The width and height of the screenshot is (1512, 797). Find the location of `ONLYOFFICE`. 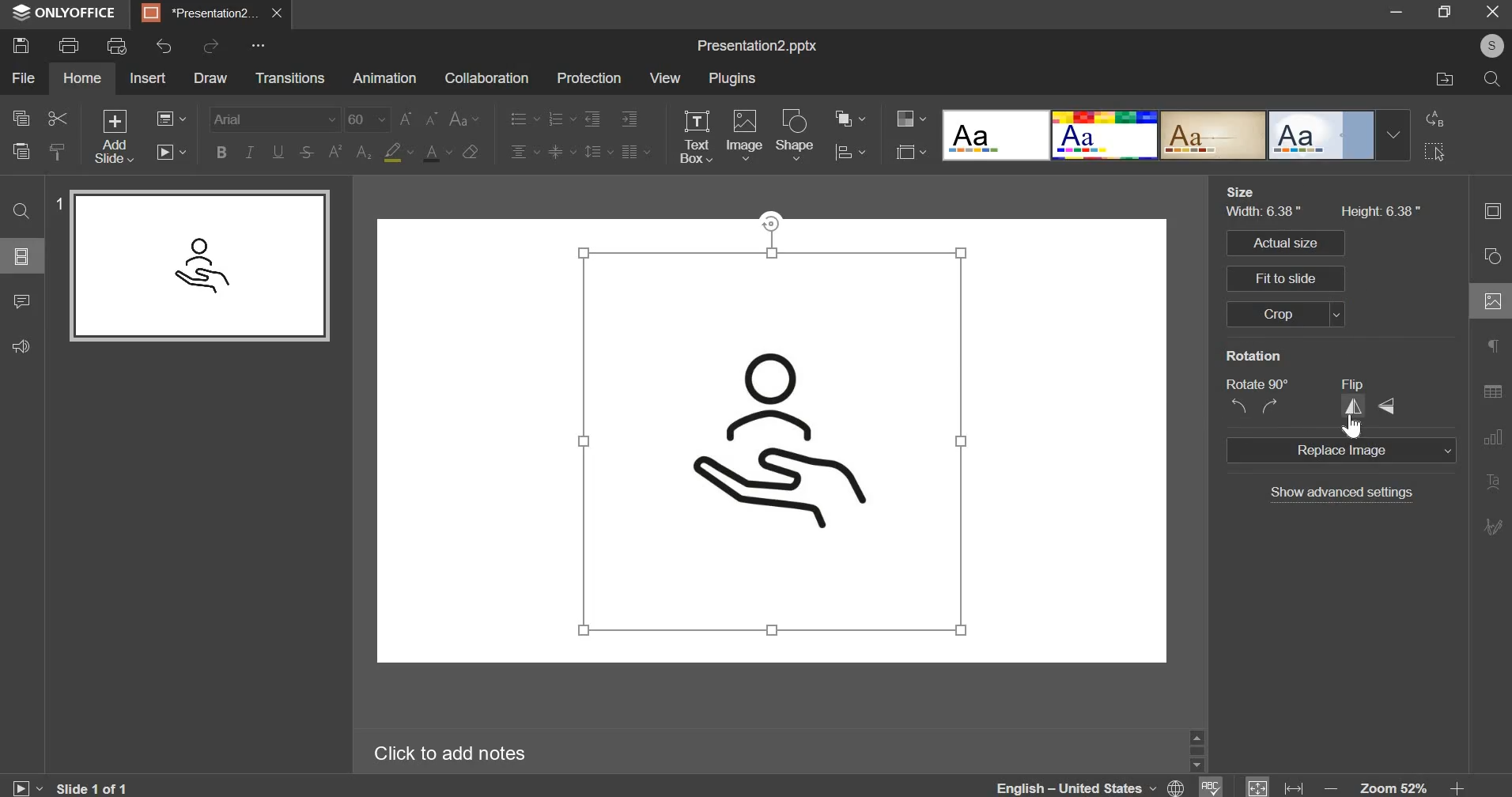

ONLYOFFICE is located at coordinates (63, 14).